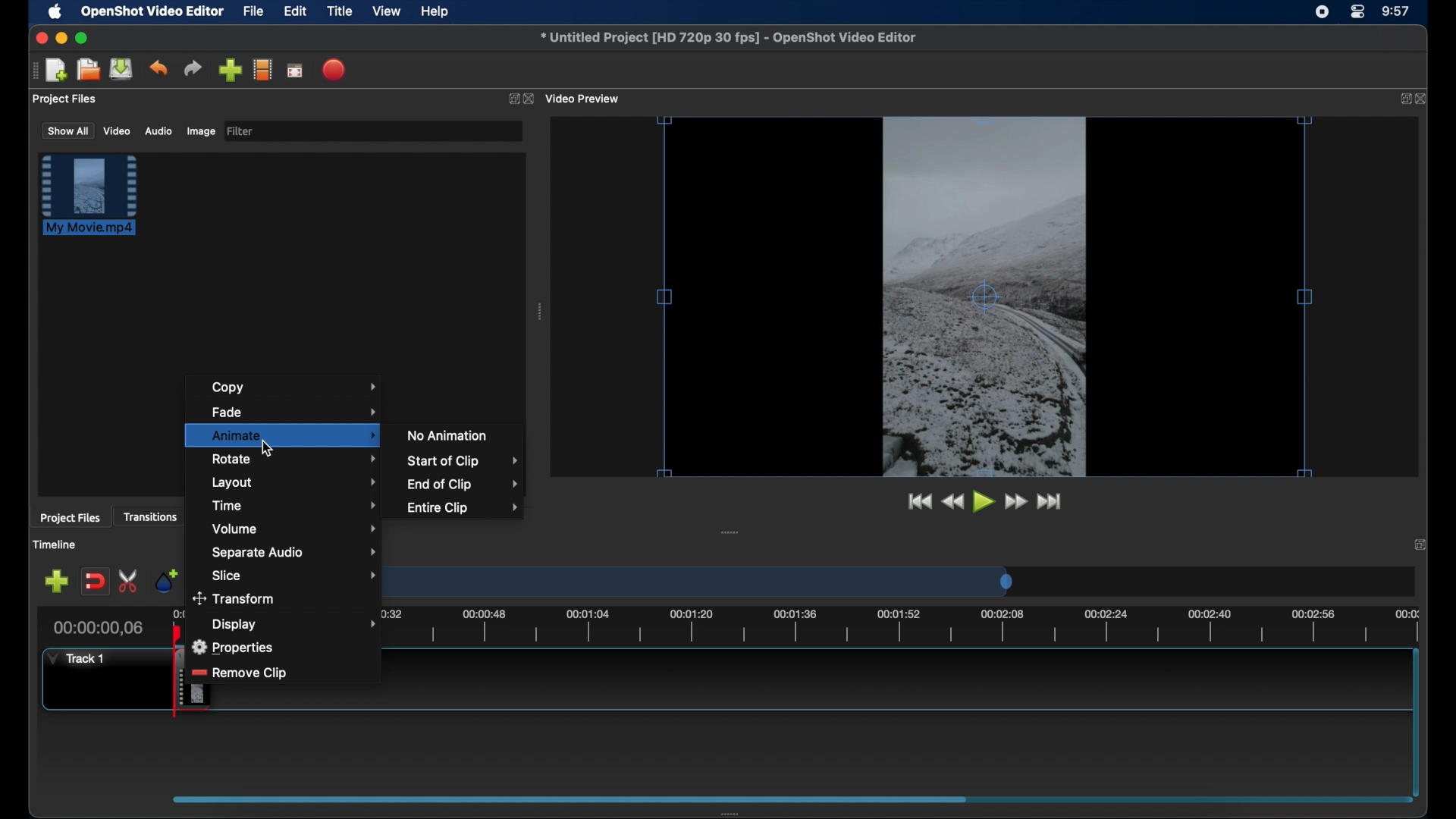 This screenshot has width=1456, height=819. Describe the element at coordinates (150, 516) in the screenshot. I see `transitions` at that location.